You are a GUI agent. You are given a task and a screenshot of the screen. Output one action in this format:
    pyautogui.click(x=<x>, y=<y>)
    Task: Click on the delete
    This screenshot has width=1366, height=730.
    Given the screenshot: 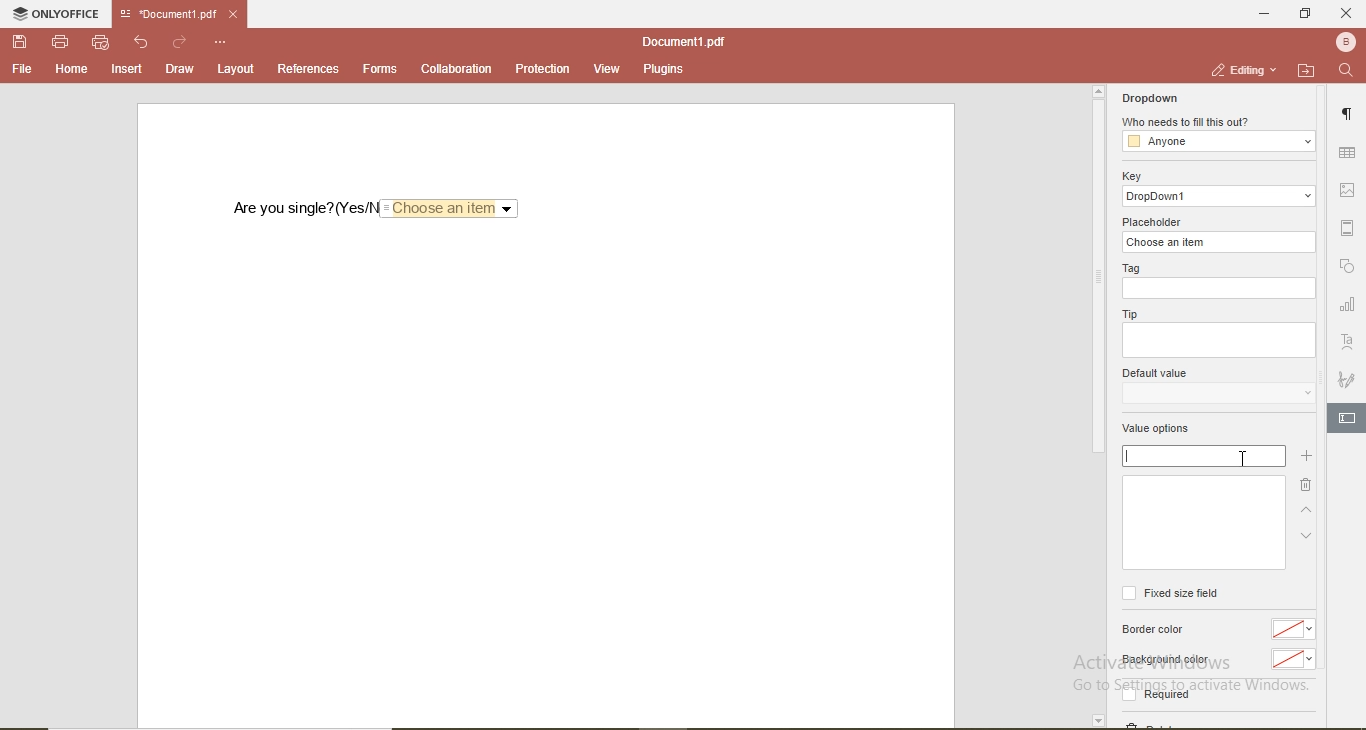 What is the action you would take?
    pyautogui.click(x=1305, y=484)
    